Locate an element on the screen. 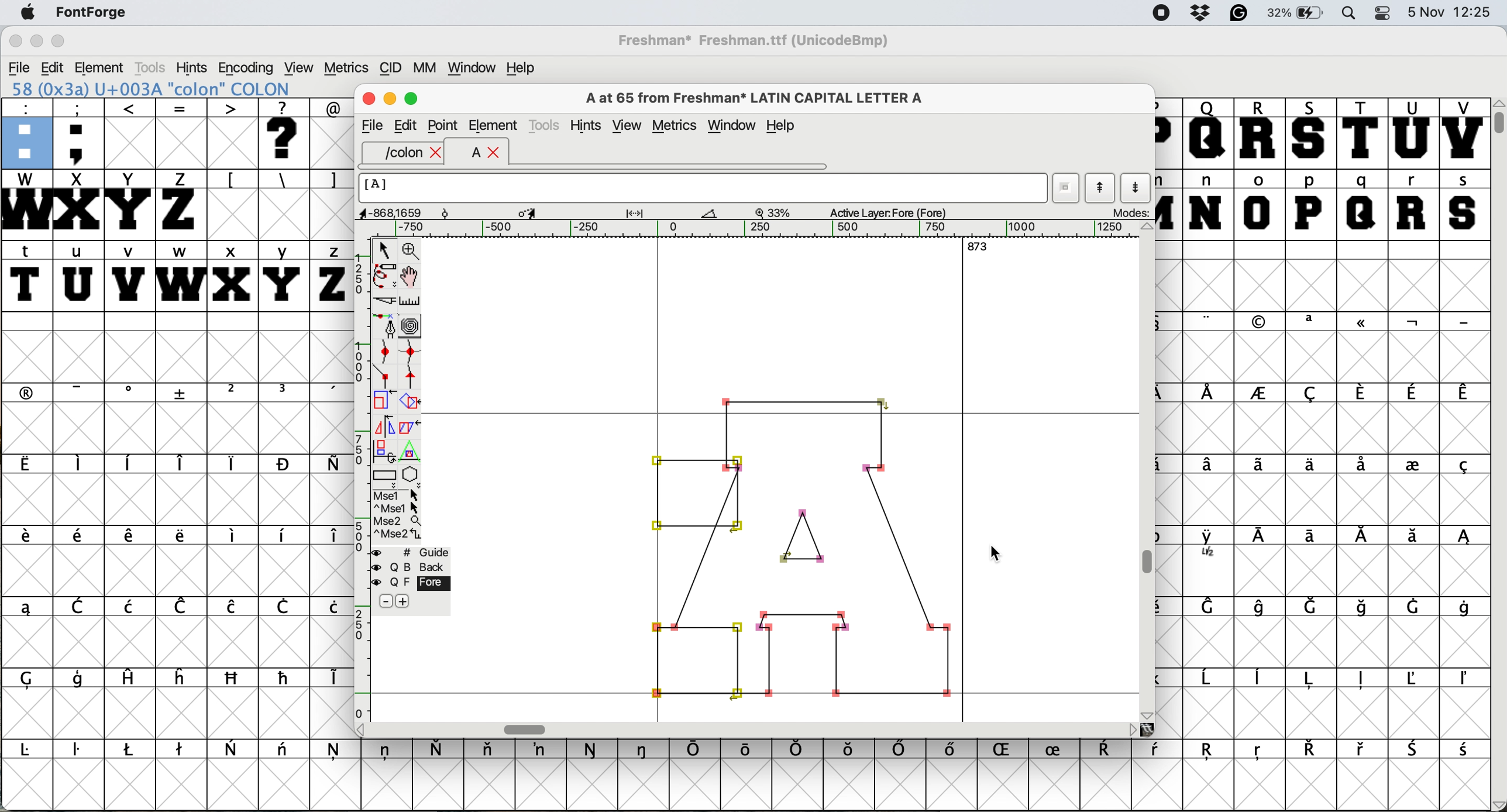 The image size is (1507, 812). symbol is located at coordinates (133, 537).